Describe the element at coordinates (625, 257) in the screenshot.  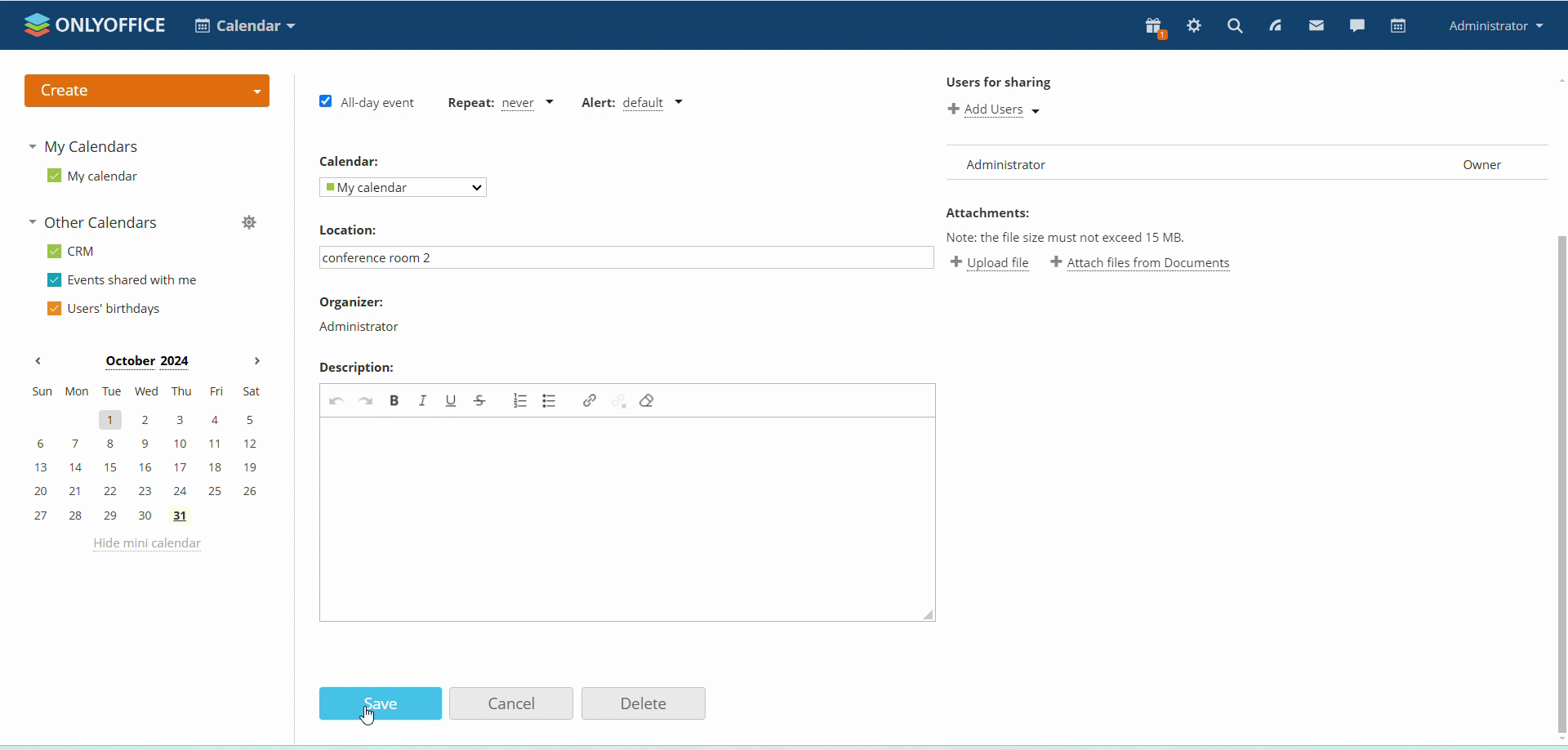
I see `conference room 2` at that location.